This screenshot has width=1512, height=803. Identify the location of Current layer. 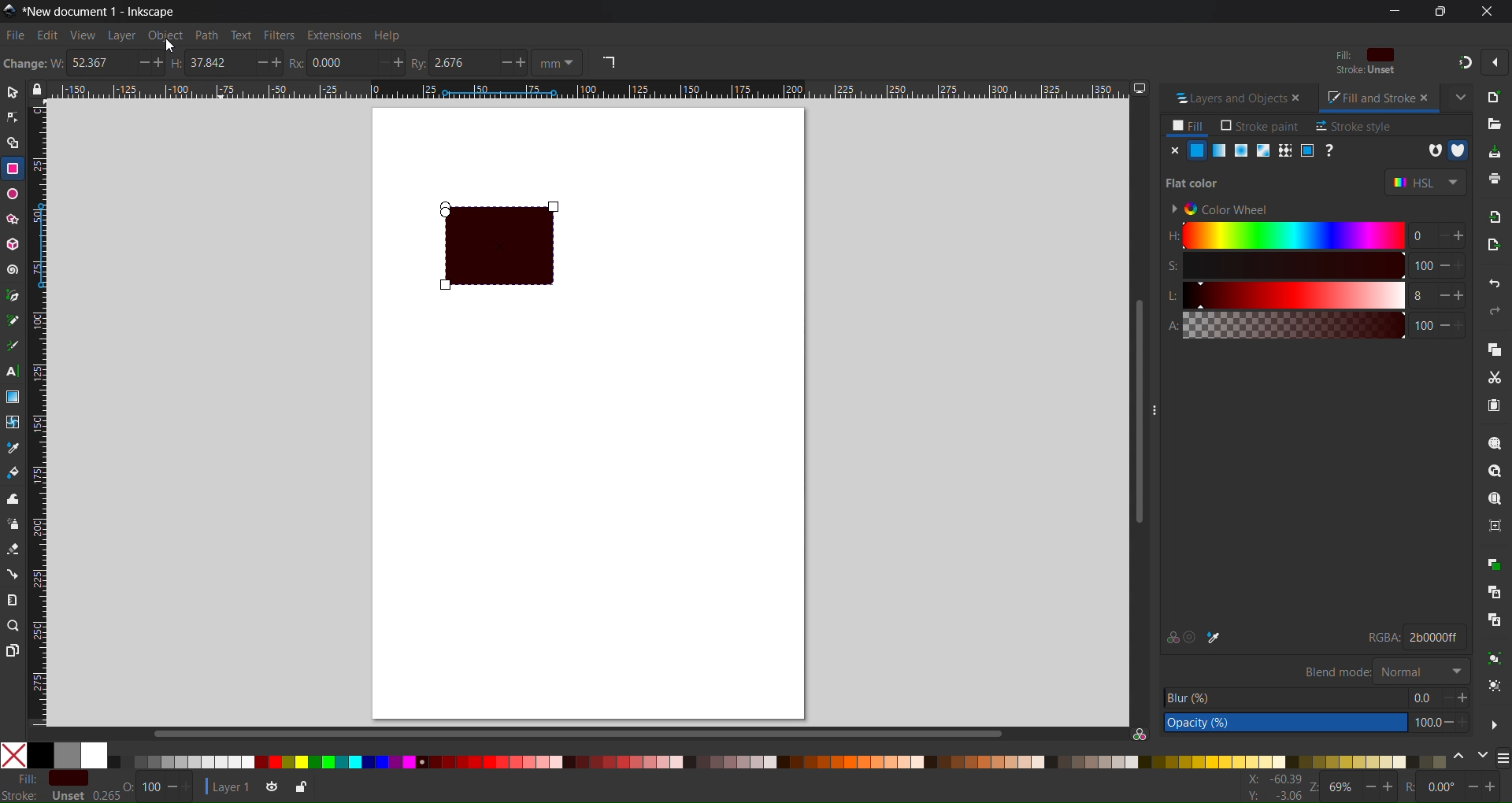
(228, 786).